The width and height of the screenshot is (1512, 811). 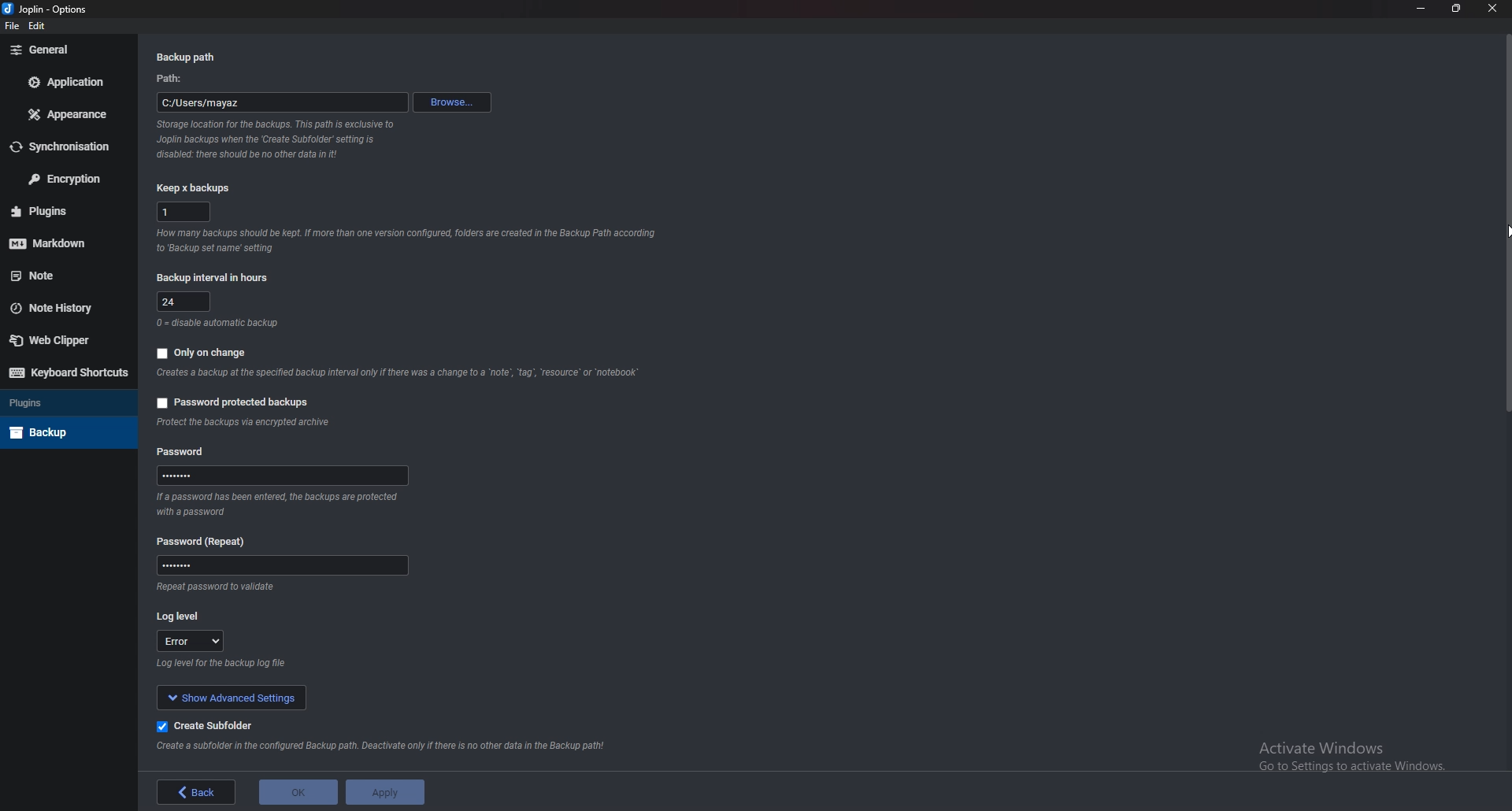 What do you see at coordinates (1506, 222) in the screenshot?
I see `Scroll bar` at bounding box center [1506, 222].